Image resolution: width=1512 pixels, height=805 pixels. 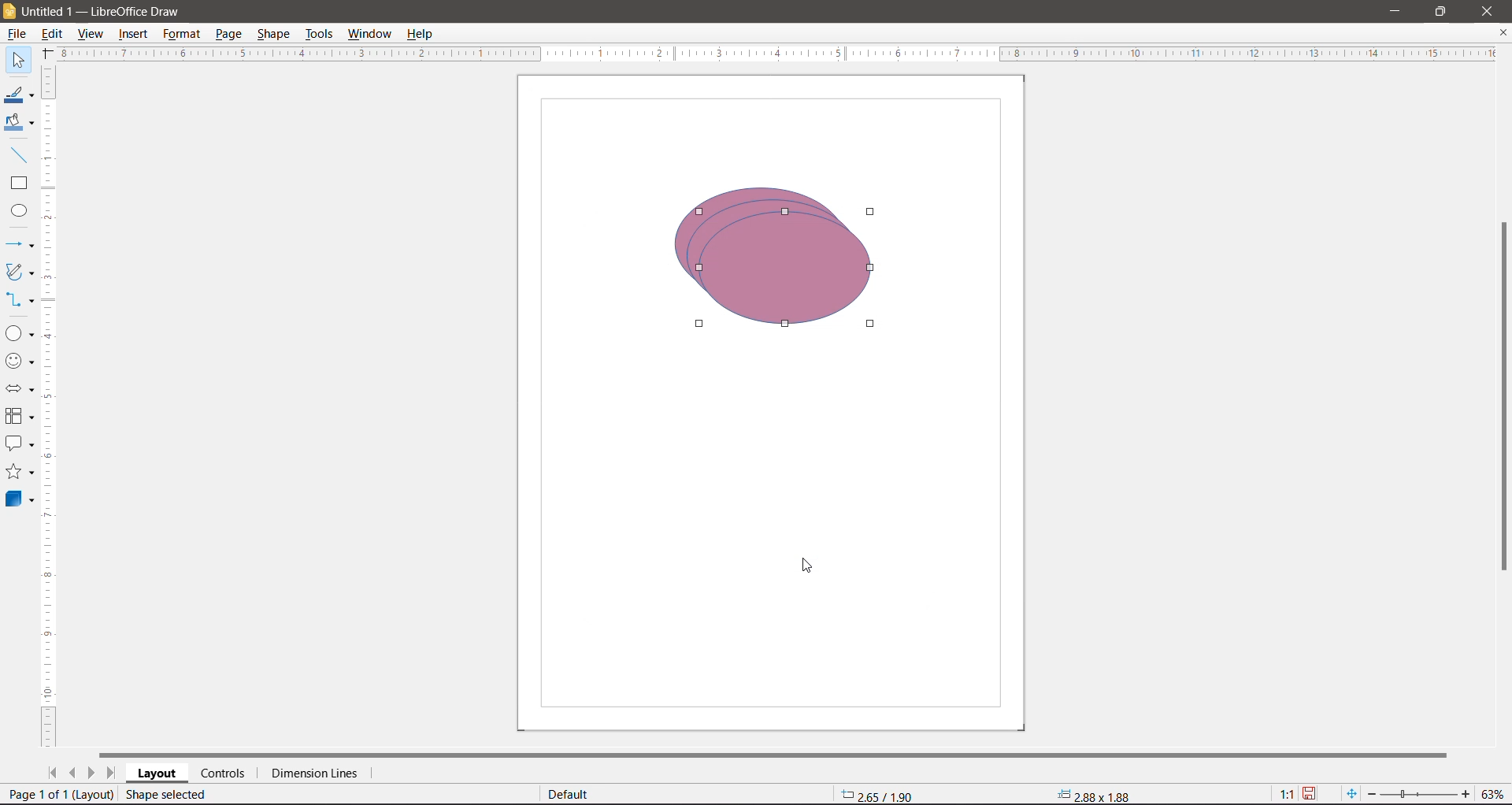 I want to click on Default, so click(x=570, y=794).